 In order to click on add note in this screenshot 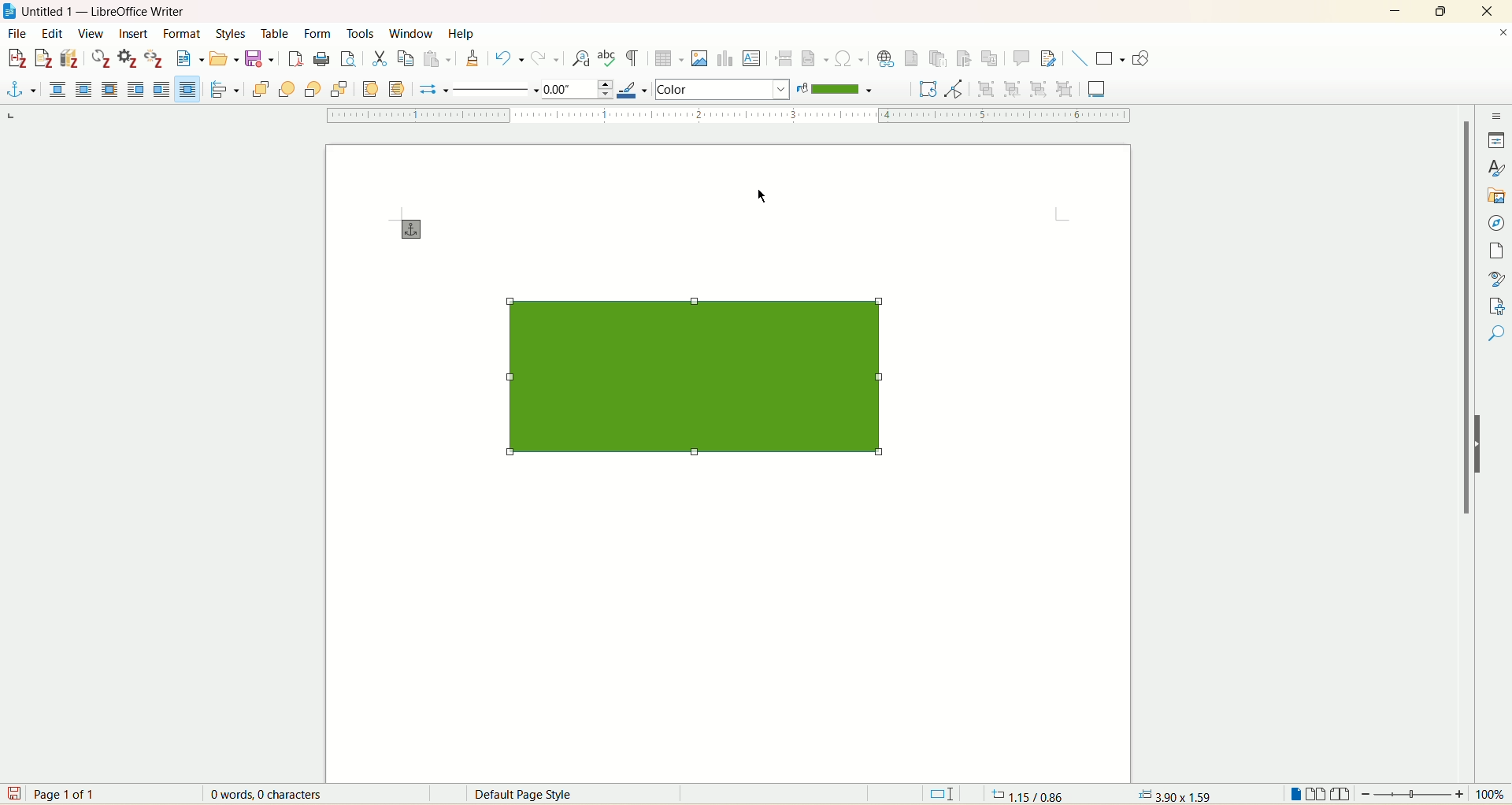, I will do `click(44, 59)`.